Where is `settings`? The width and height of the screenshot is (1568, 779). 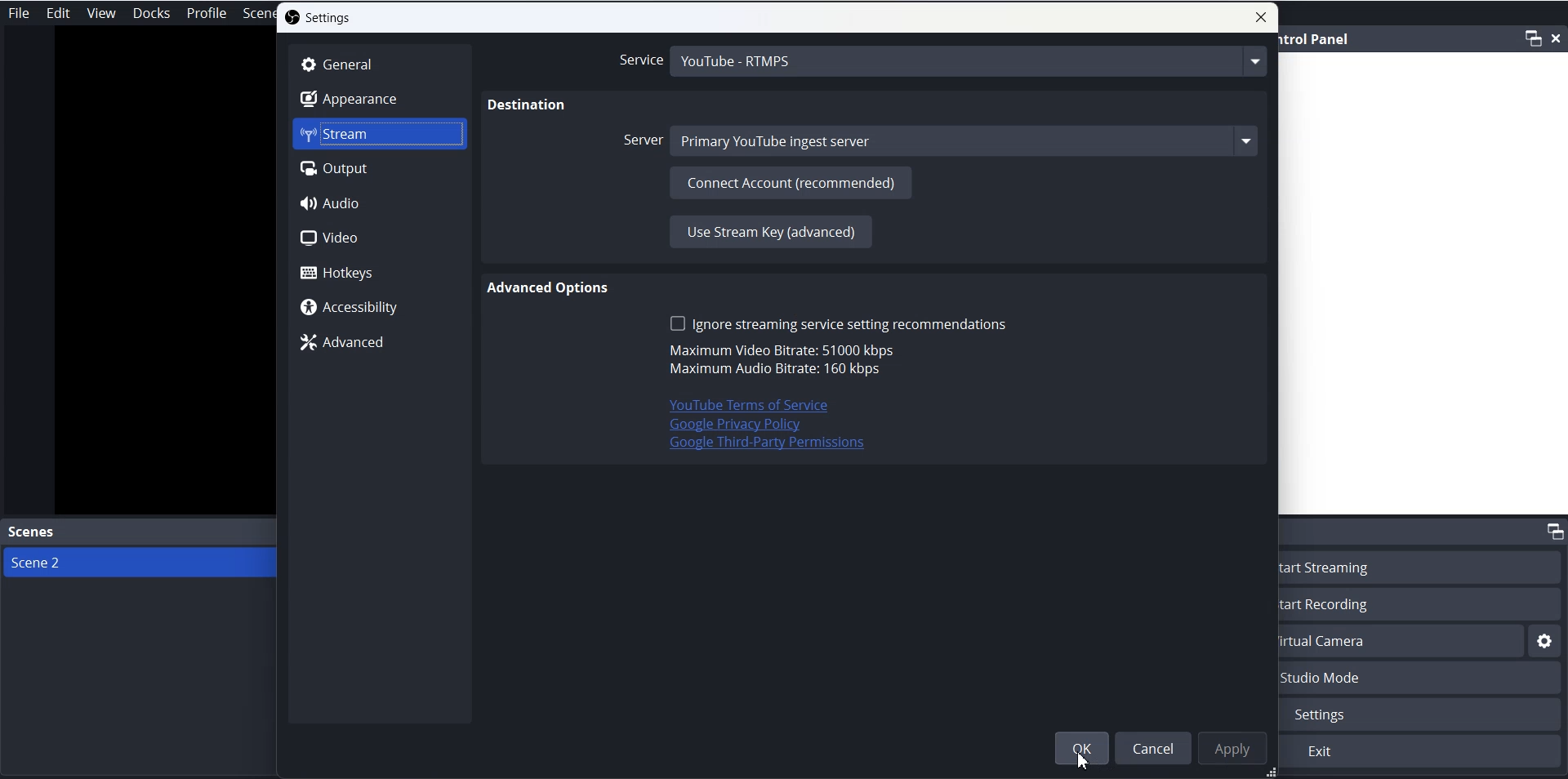 settings is located at coordinates (1545, 642).